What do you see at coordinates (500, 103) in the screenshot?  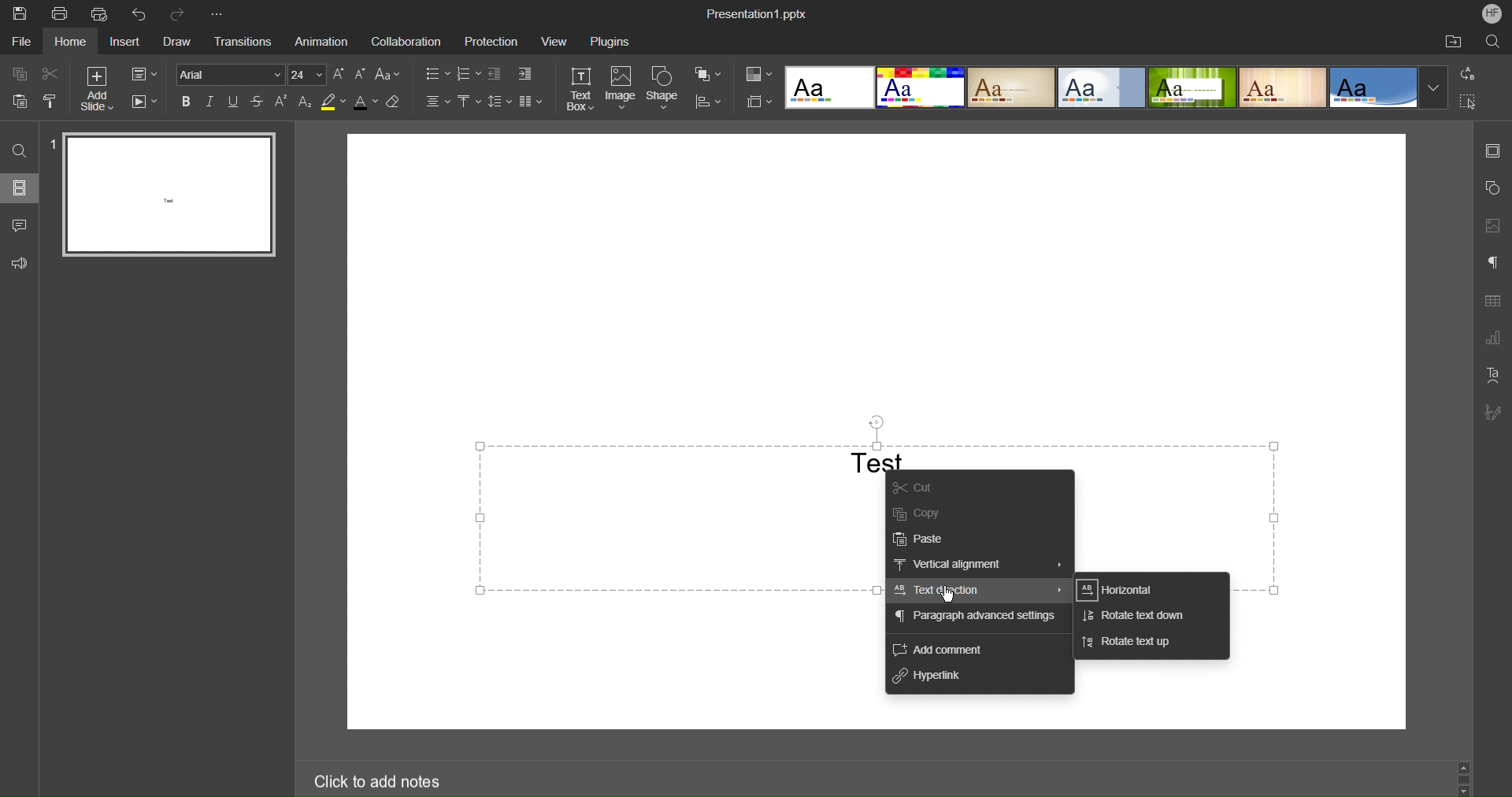 I see `Line Spacing` at bounding box center [500, 103].